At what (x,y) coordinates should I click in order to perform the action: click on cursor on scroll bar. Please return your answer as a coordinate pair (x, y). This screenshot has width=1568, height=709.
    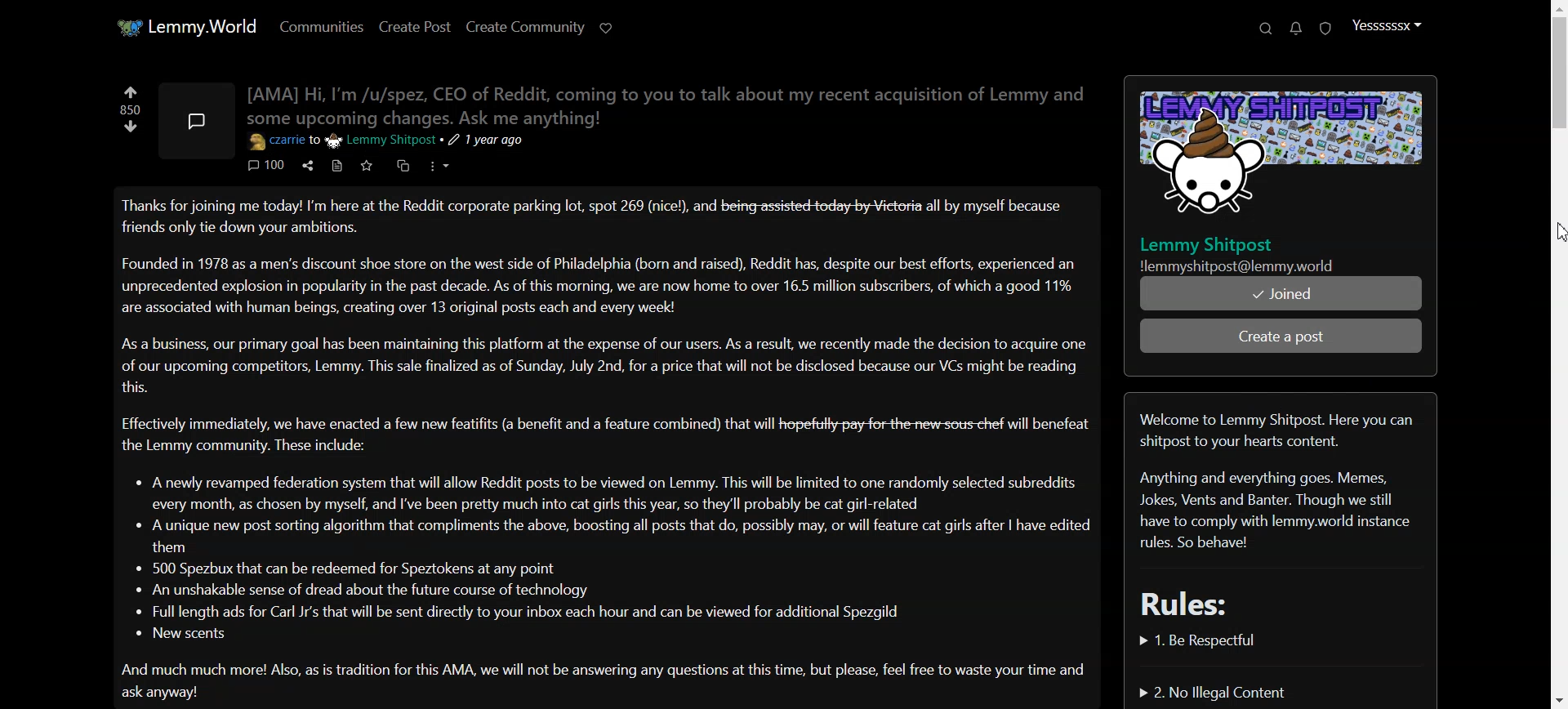
    Looking at the image, I should click on (1557, 233).